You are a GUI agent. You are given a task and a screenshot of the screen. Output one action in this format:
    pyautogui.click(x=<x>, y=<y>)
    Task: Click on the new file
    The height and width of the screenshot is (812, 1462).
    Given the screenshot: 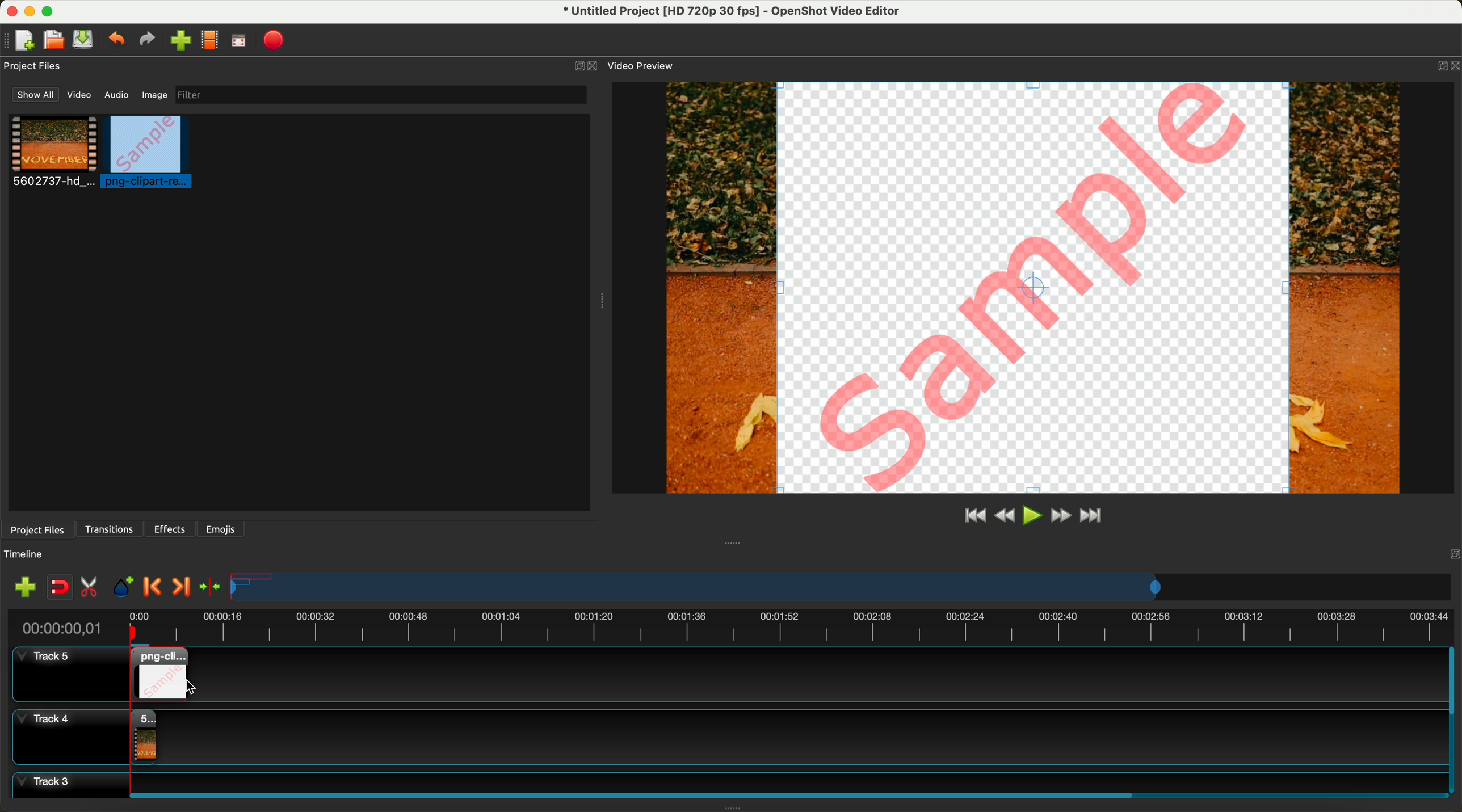 What is the action you would take?
    pyautogui.click(x=21, y=40)
    